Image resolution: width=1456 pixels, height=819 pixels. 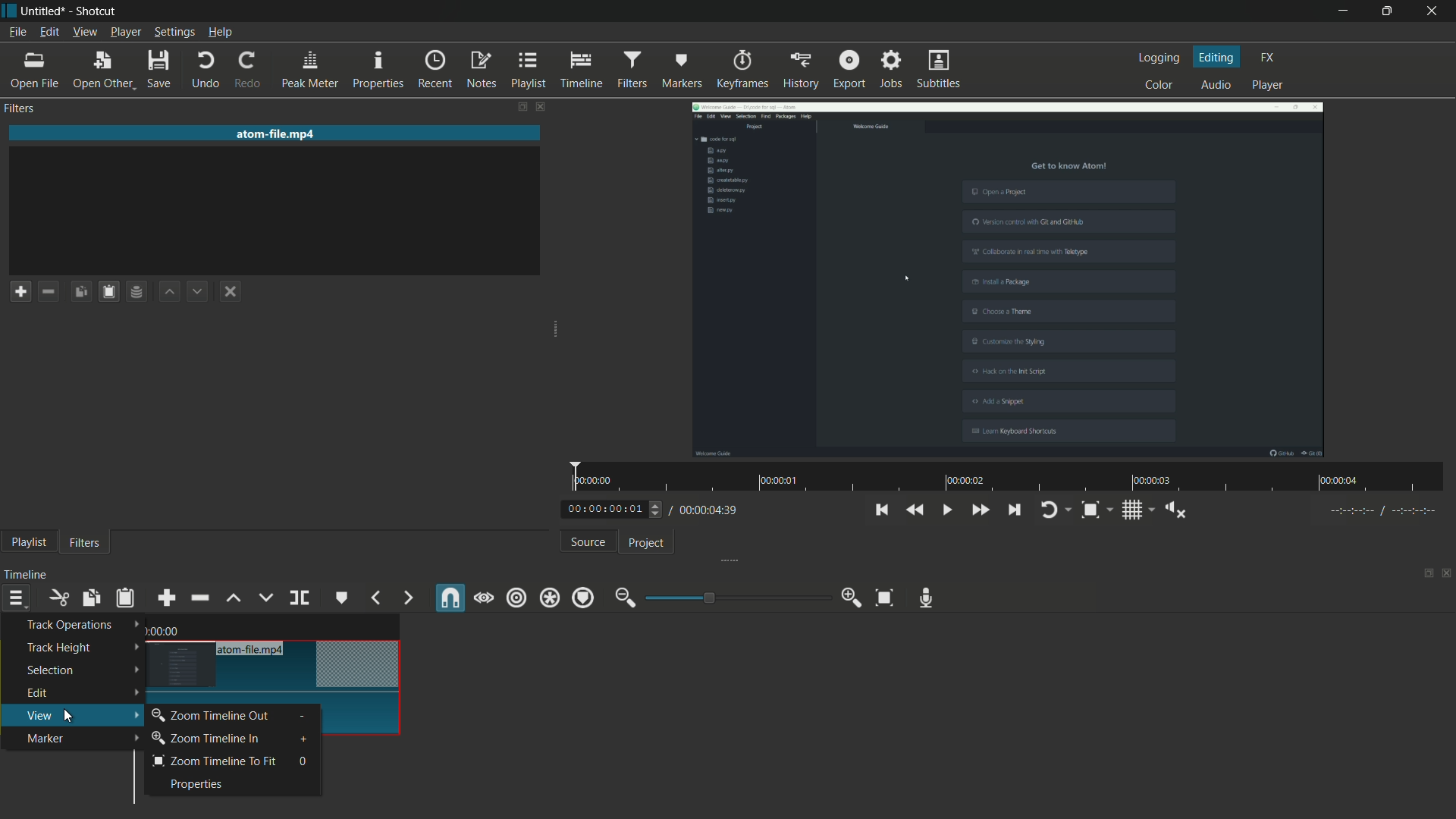 What do you see at coordinates (945, 510) in the screenshot?
I see `toggle play or pause` at bounding box center [945, 510].